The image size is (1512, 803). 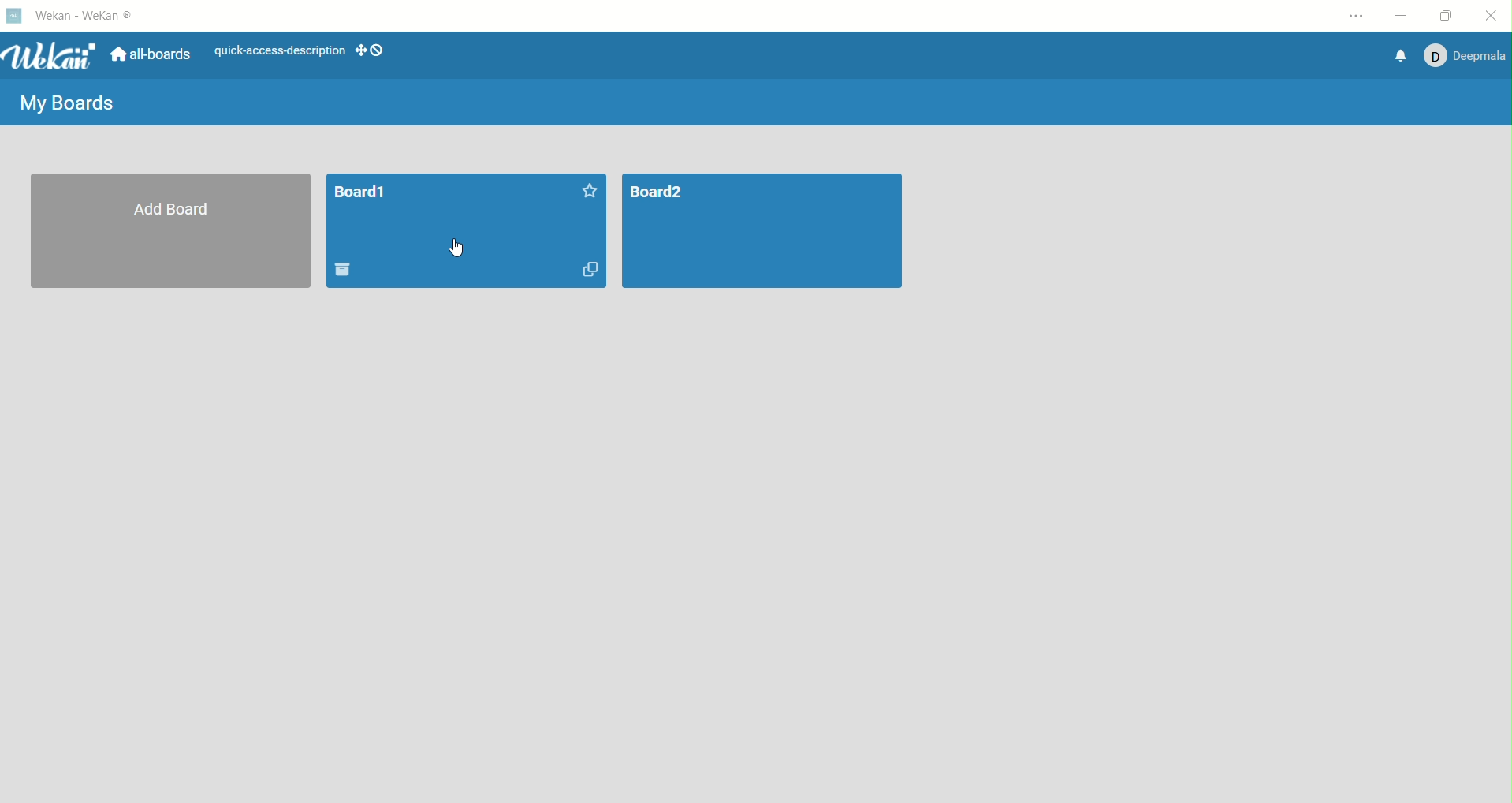 What do you see at coordinates (1402, 56) in the screenshot?
I see `notification` at bounding box center [1402, 56].